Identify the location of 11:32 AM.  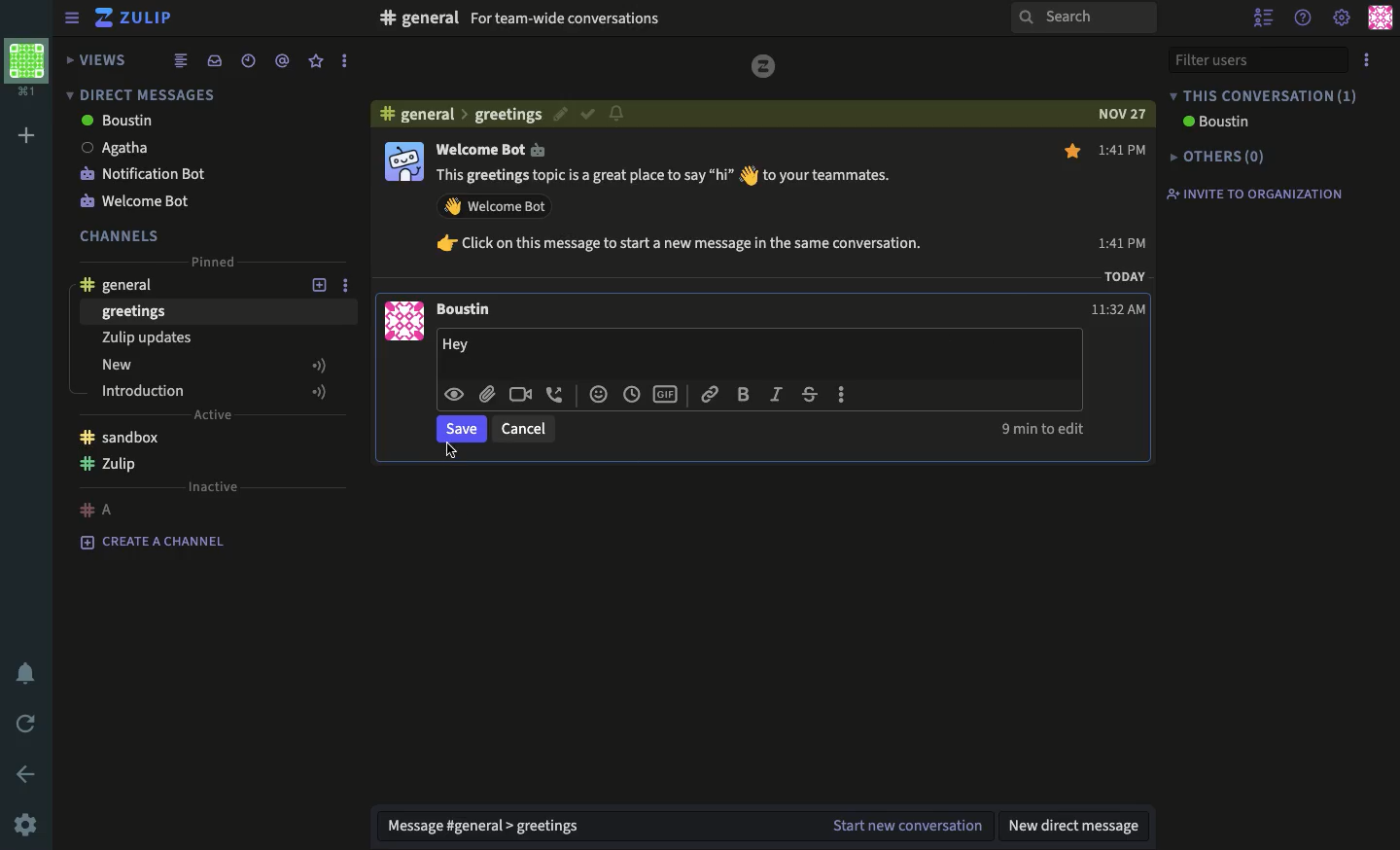
(1121, 306).